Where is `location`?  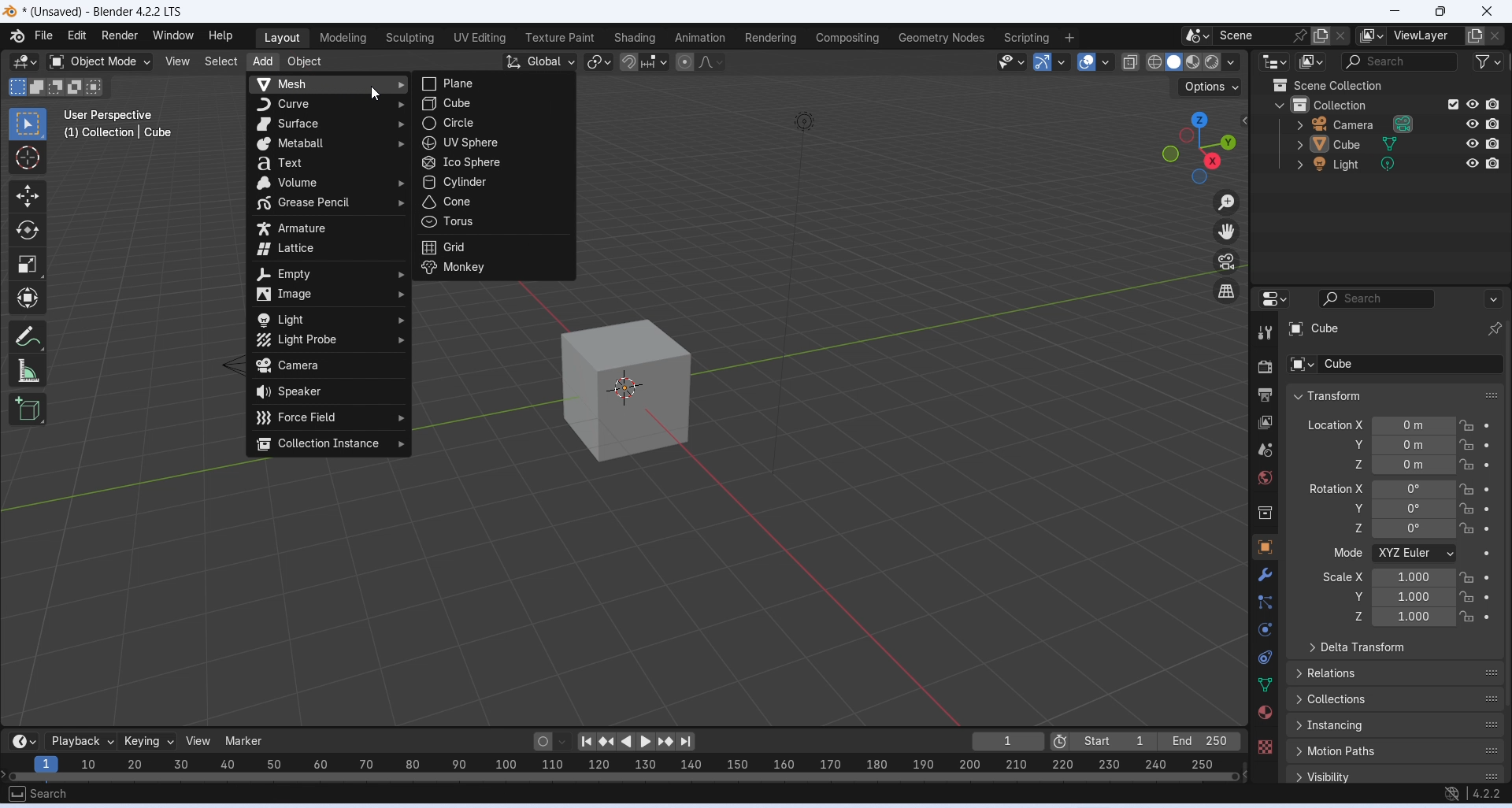 location is located at coordinates (1415, 425).